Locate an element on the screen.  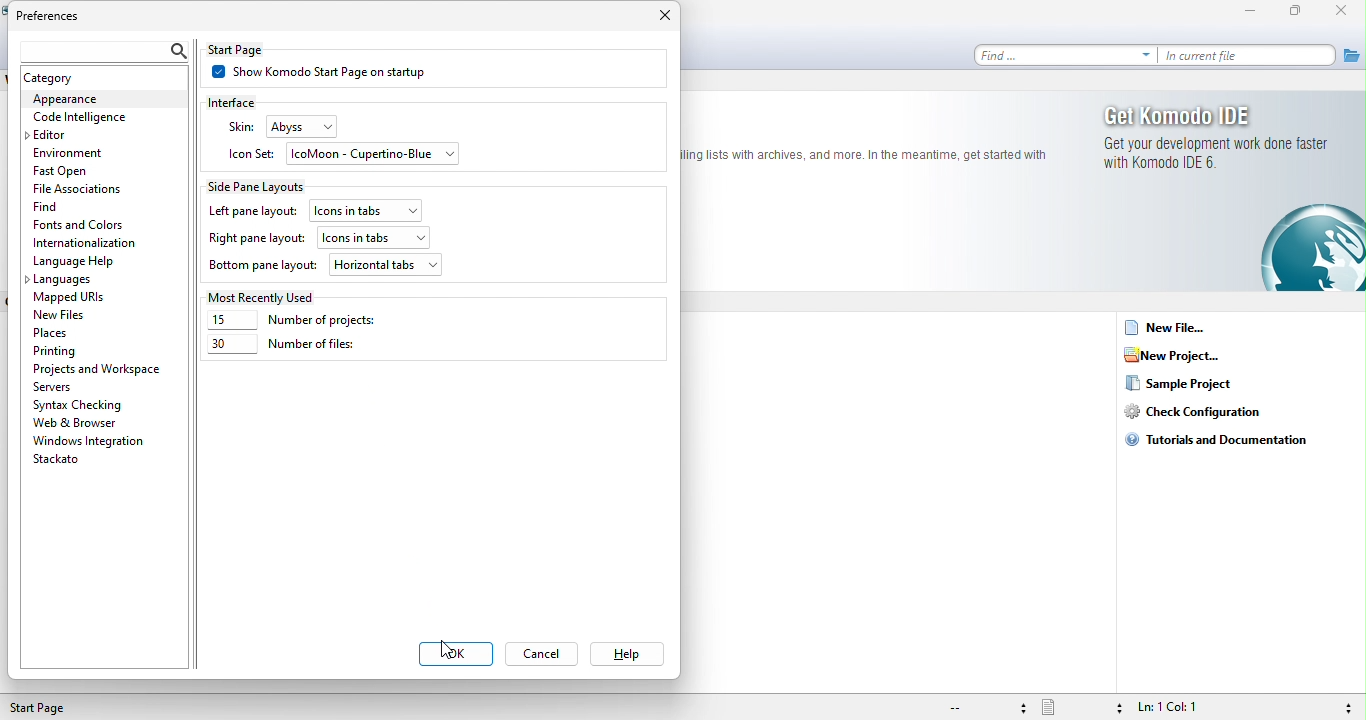
search bar is located at coordinates (100, 48).